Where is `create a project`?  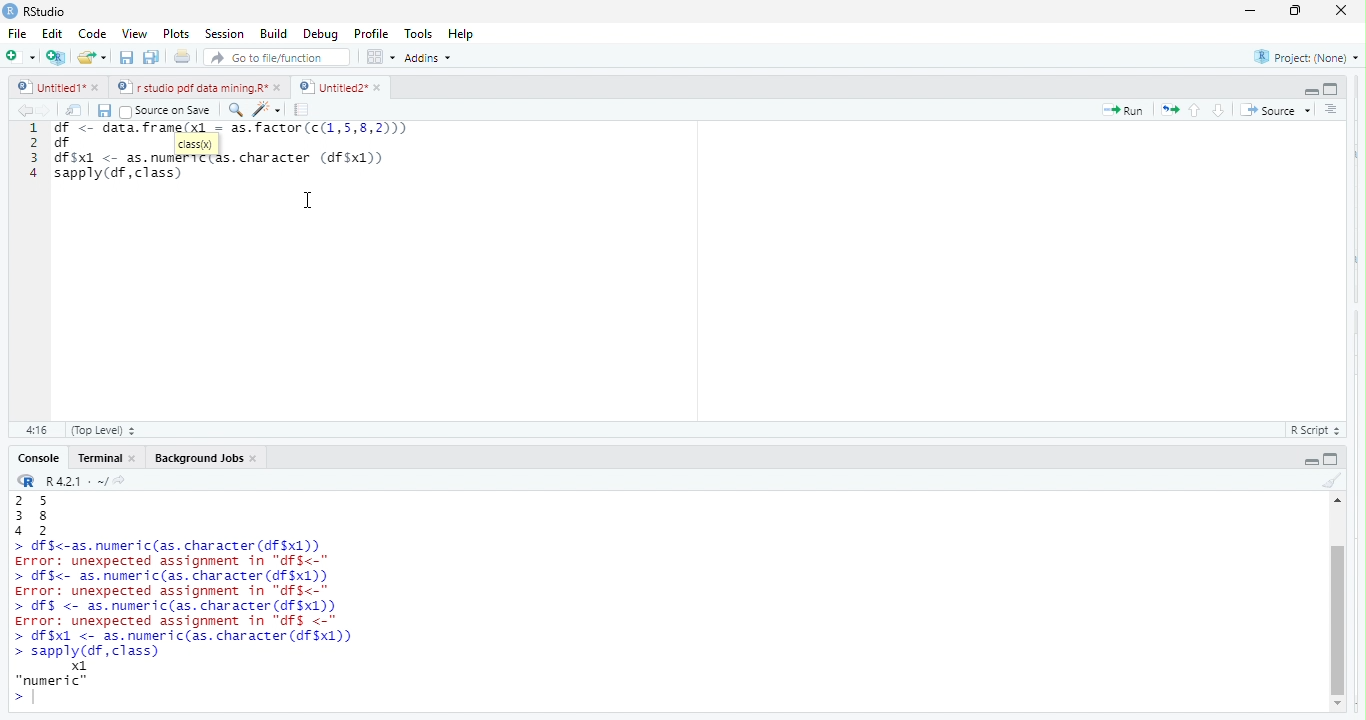 create a project is located at coordinates (56, 58).